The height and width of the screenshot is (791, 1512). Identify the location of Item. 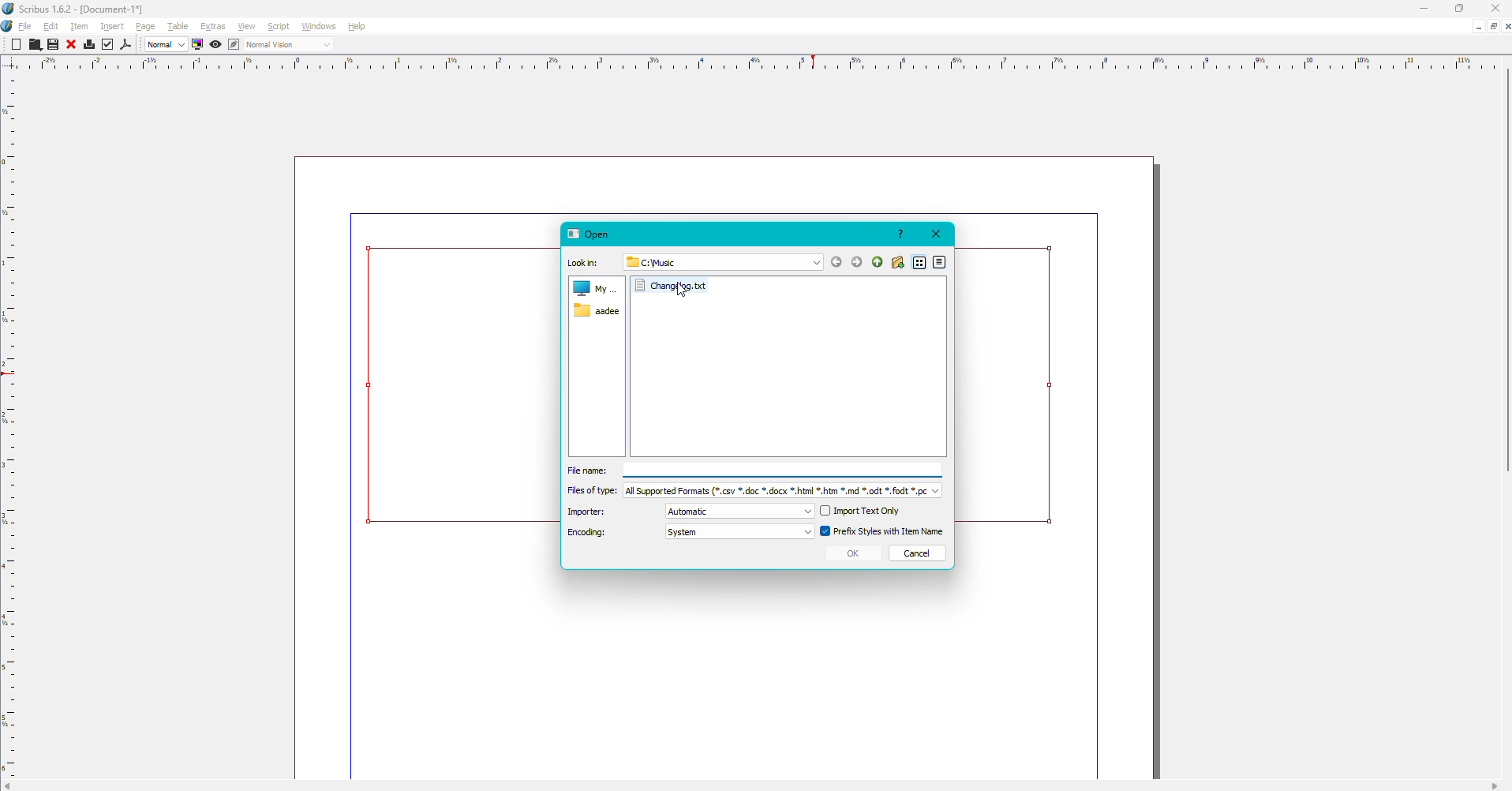
(80, 27).